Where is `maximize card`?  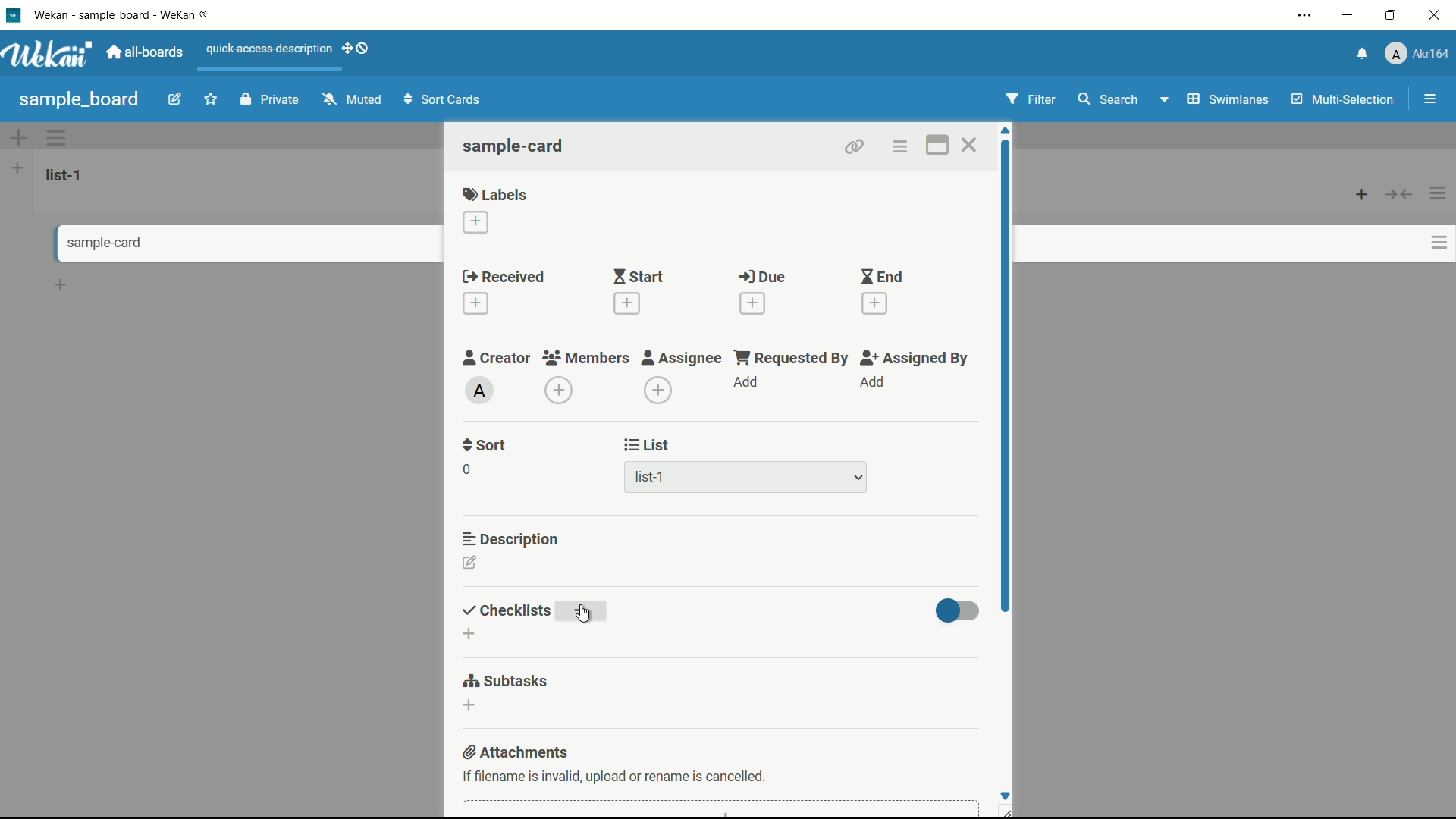 maximize card is located at coordinates (937, 147).